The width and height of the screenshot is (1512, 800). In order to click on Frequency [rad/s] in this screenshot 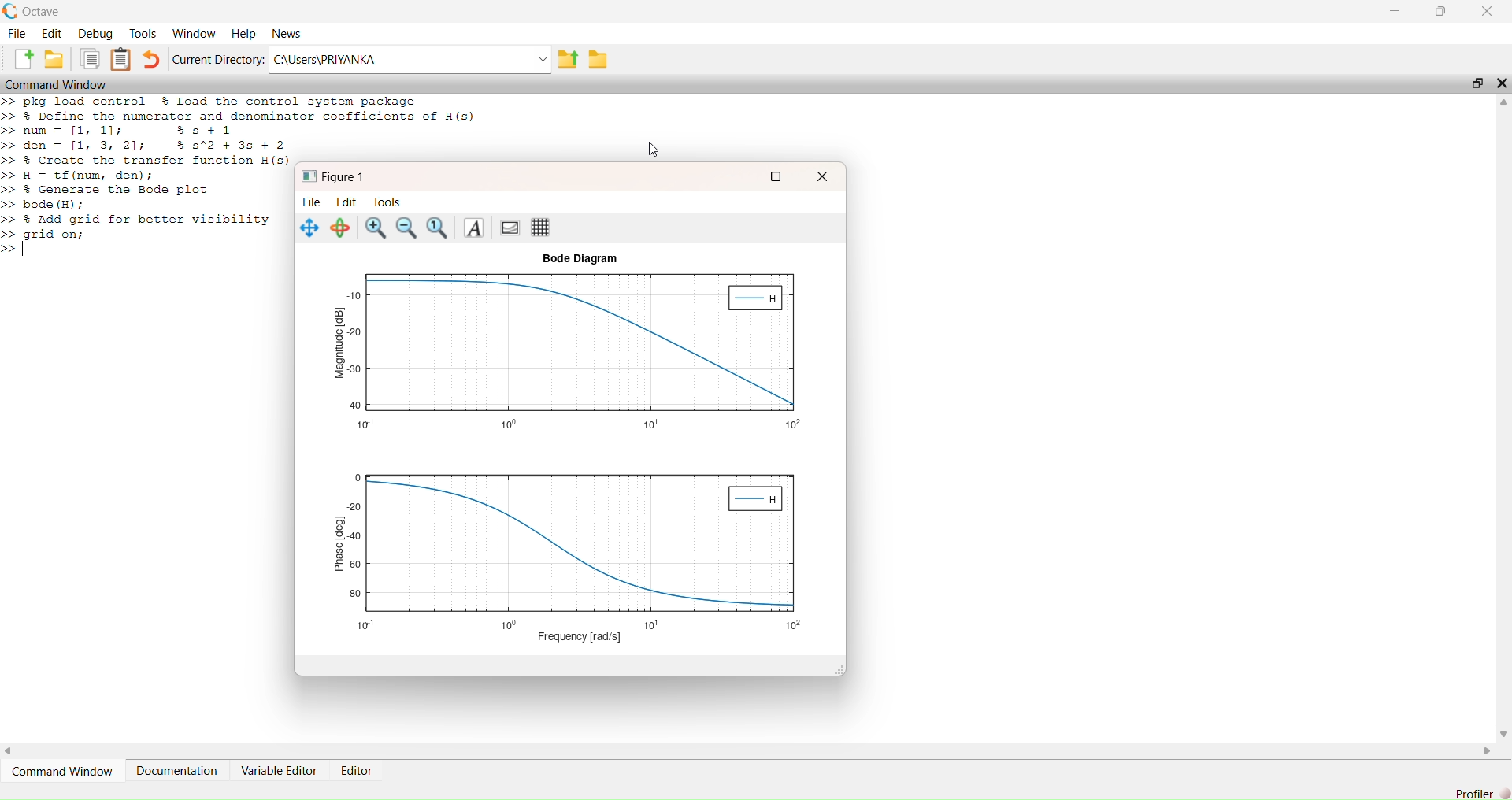, I will do `click(581, 638)`.